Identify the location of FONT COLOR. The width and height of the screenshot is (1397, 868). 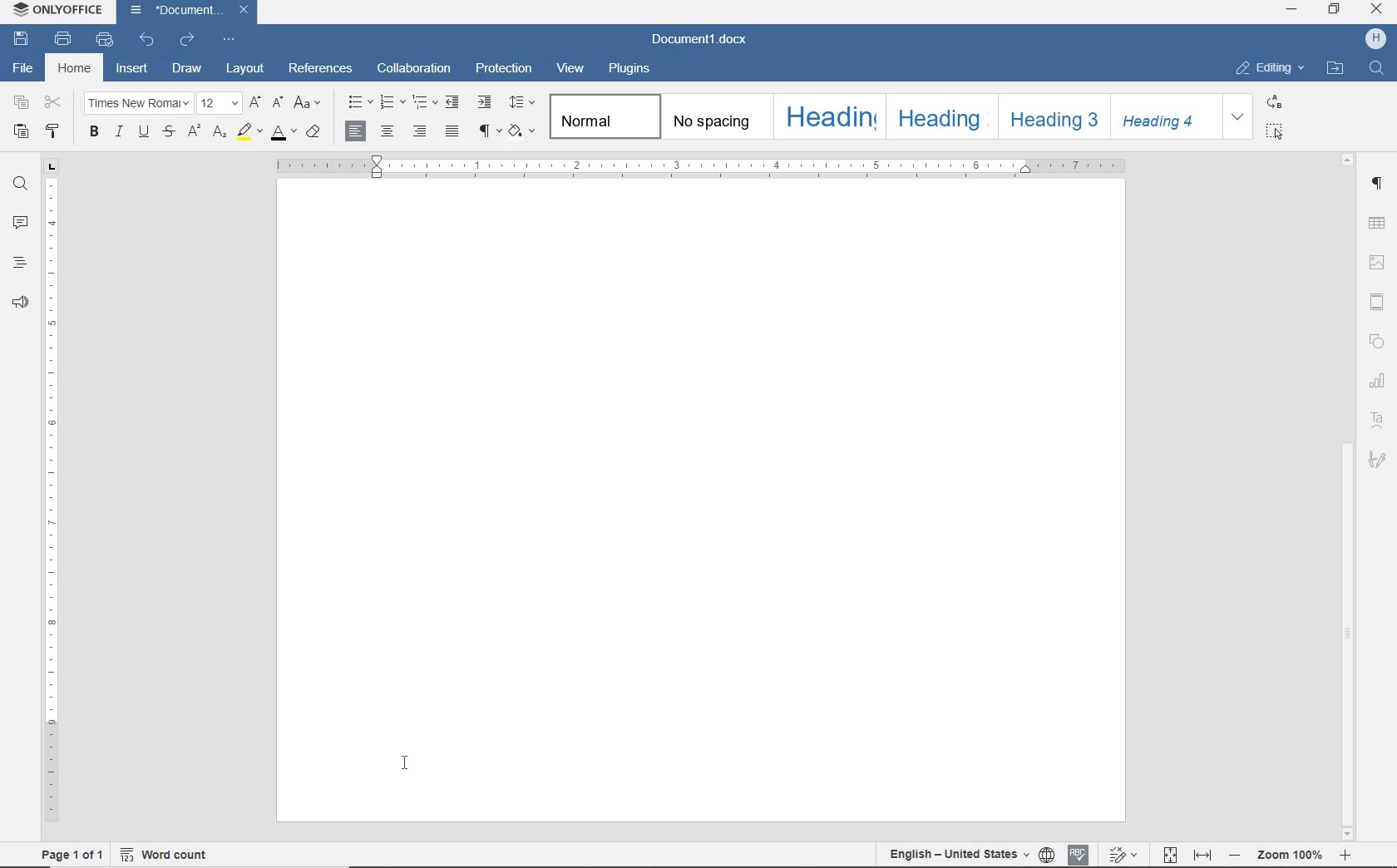
(284, 136).